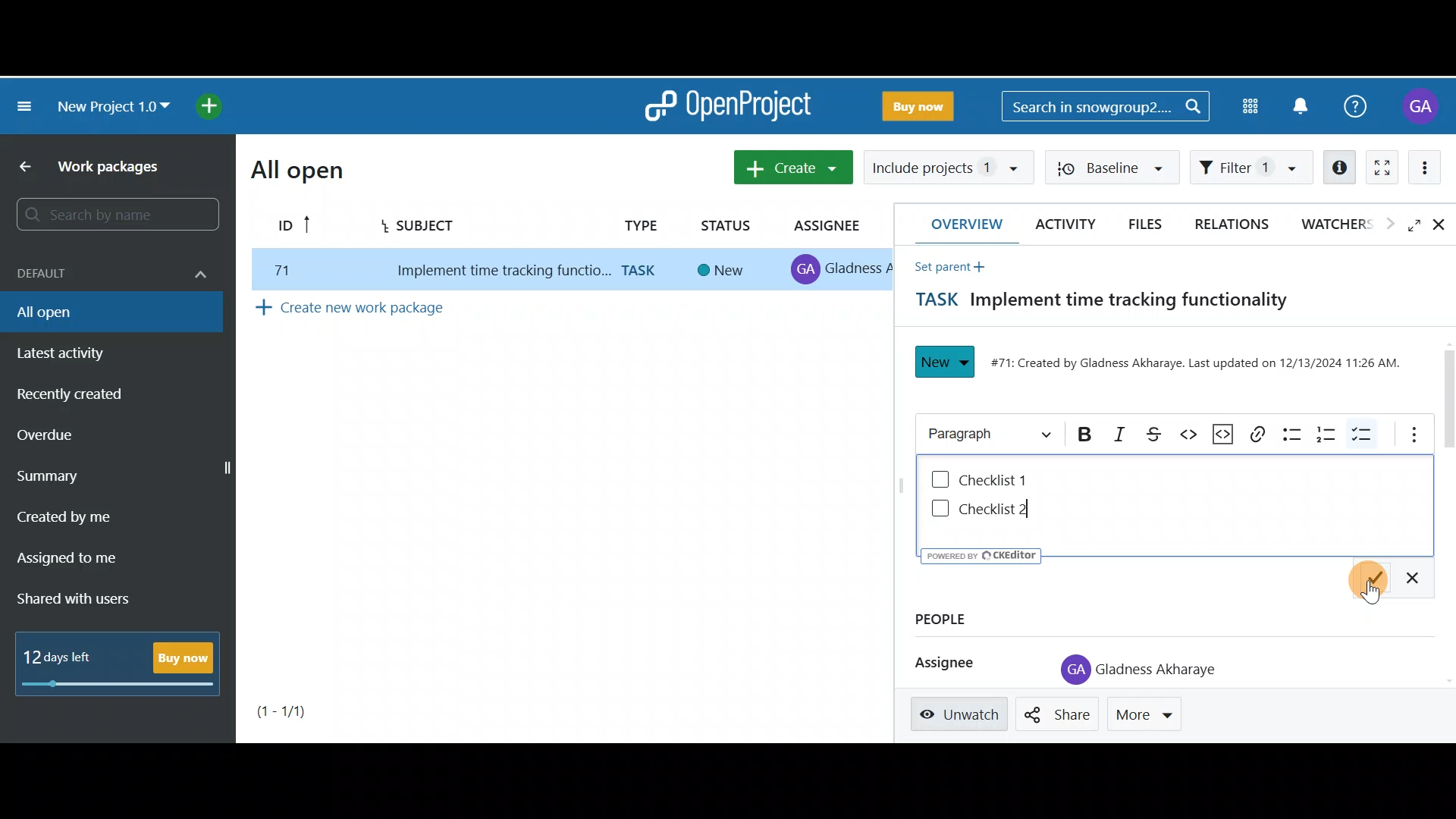 This screenshot has height=819, width=1456. I want to click on Scroll bar, so click(1447, 394).